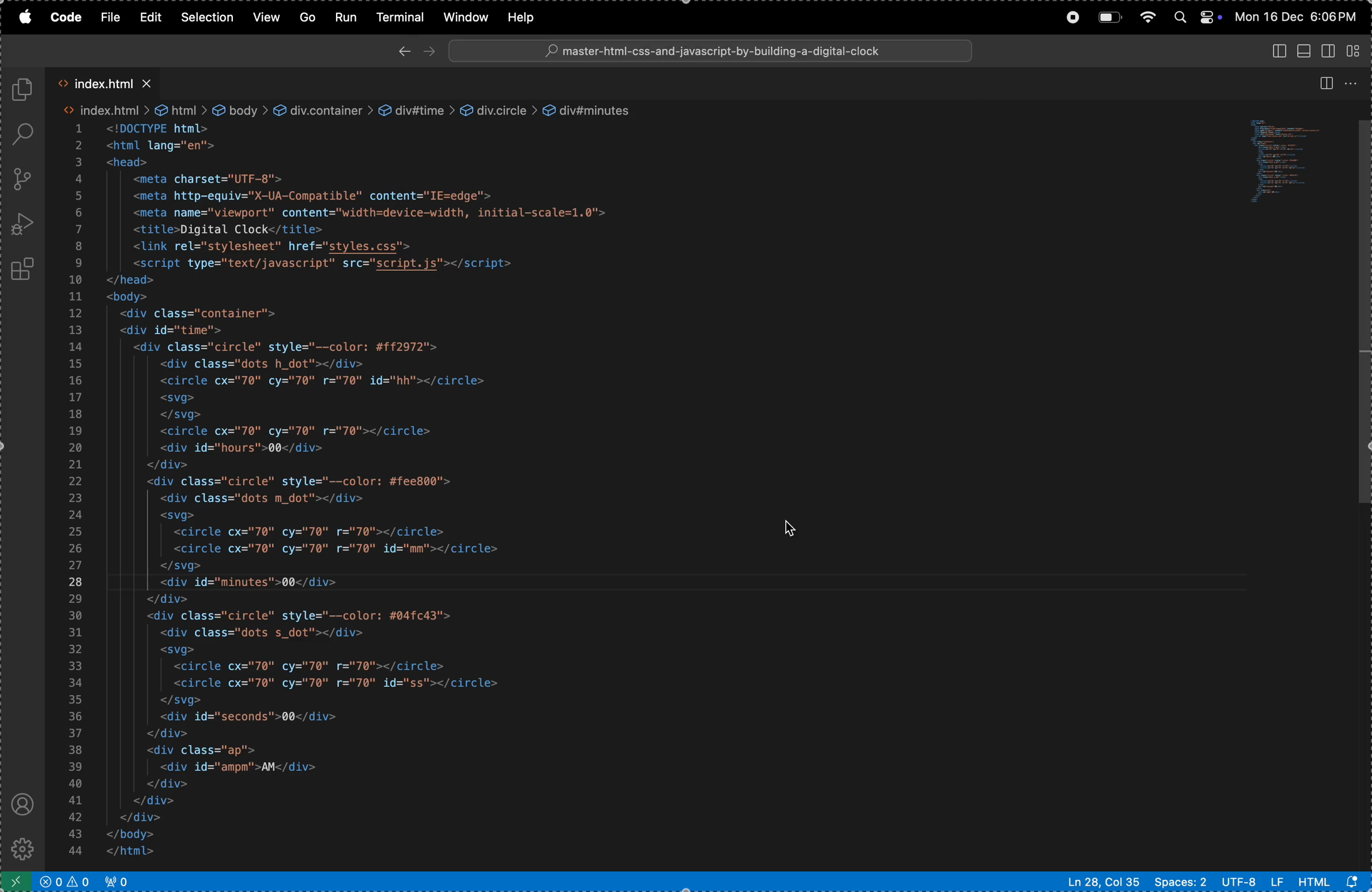 The image size is (1372, 892). What do you see at coordinates (1146, 16) in the screenshot?
I see `wifi` at bounding box center [1146, 16].